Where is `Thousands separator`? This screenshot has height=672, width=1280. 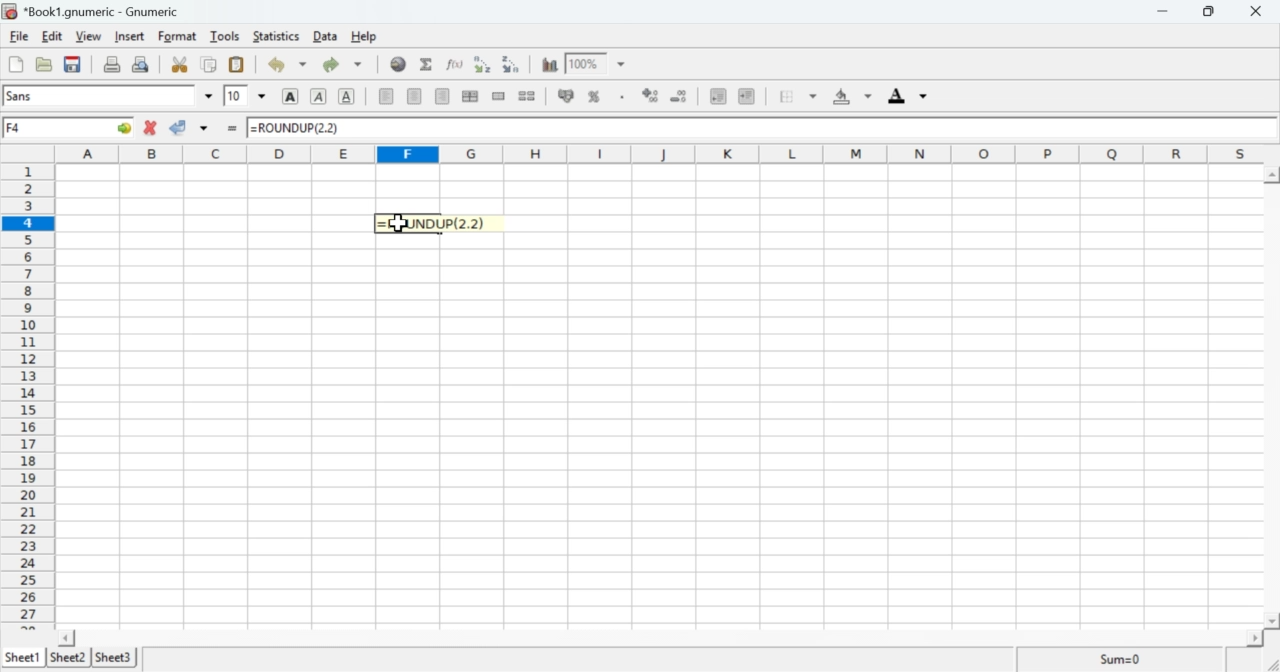 Thousands separator is located at coordinates (620, 94).